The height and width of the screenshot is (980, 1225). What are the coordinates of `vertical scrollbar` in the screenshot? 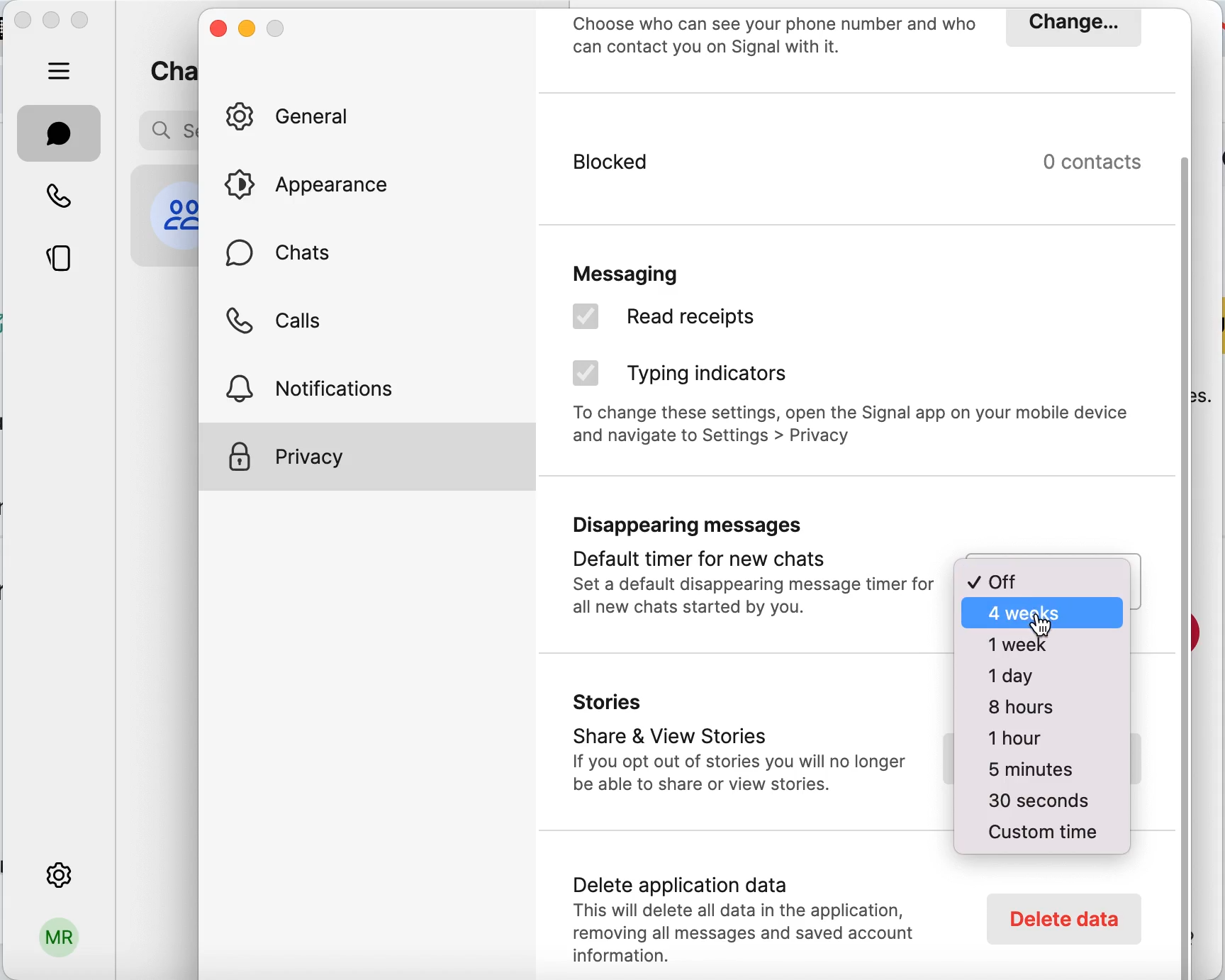 It's located at (1190, 565).